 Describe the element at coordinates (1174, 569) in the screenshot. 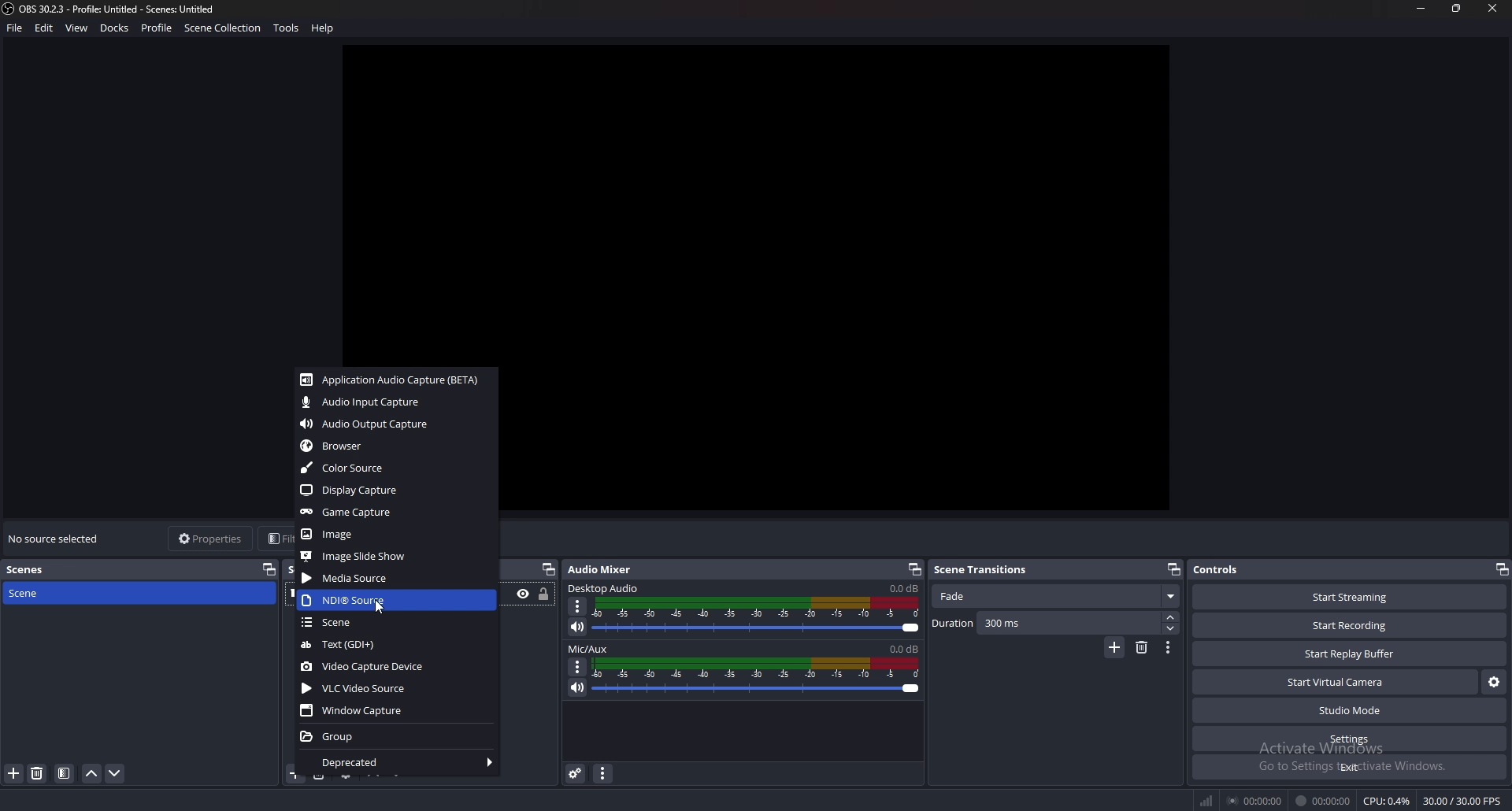

I see `pop out` at that location.